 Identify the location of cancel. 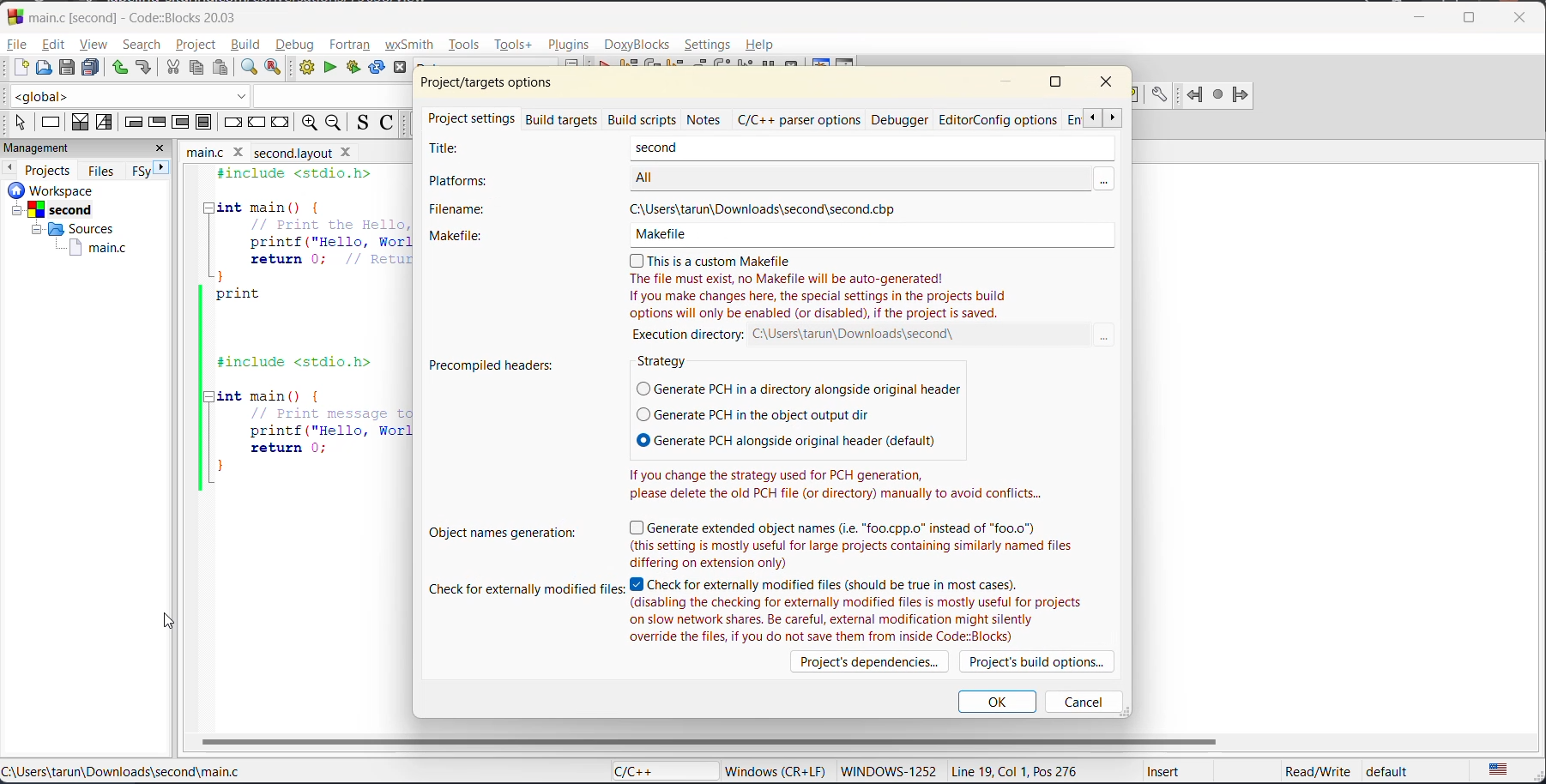
(1080, 701).